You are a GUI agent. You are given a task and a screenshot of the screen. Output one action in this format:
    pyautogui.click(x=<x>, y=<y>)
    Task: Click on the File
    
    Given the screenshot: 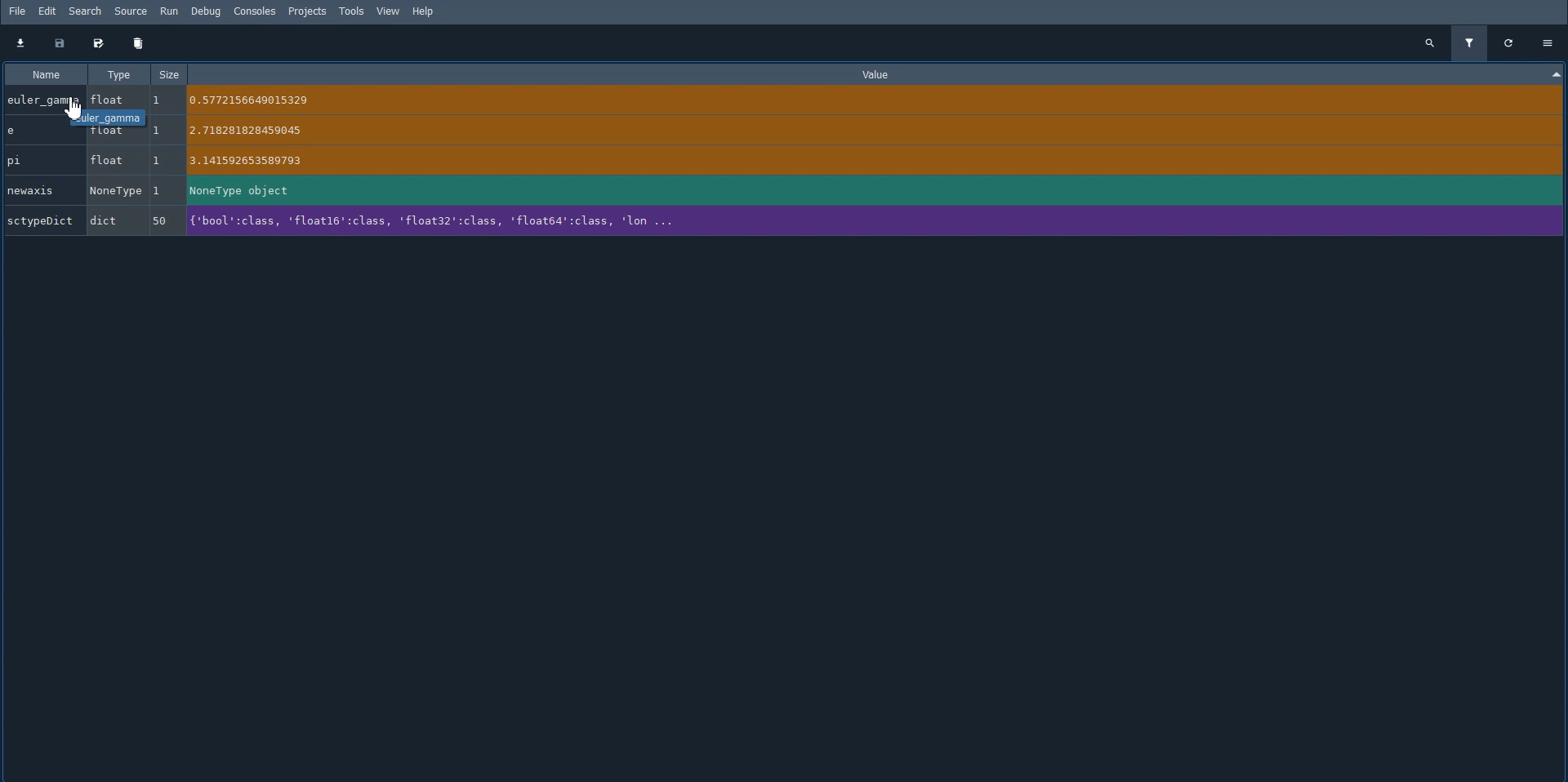 What is the action you would take?
    pyautogui.click(x=15, y=11)
    